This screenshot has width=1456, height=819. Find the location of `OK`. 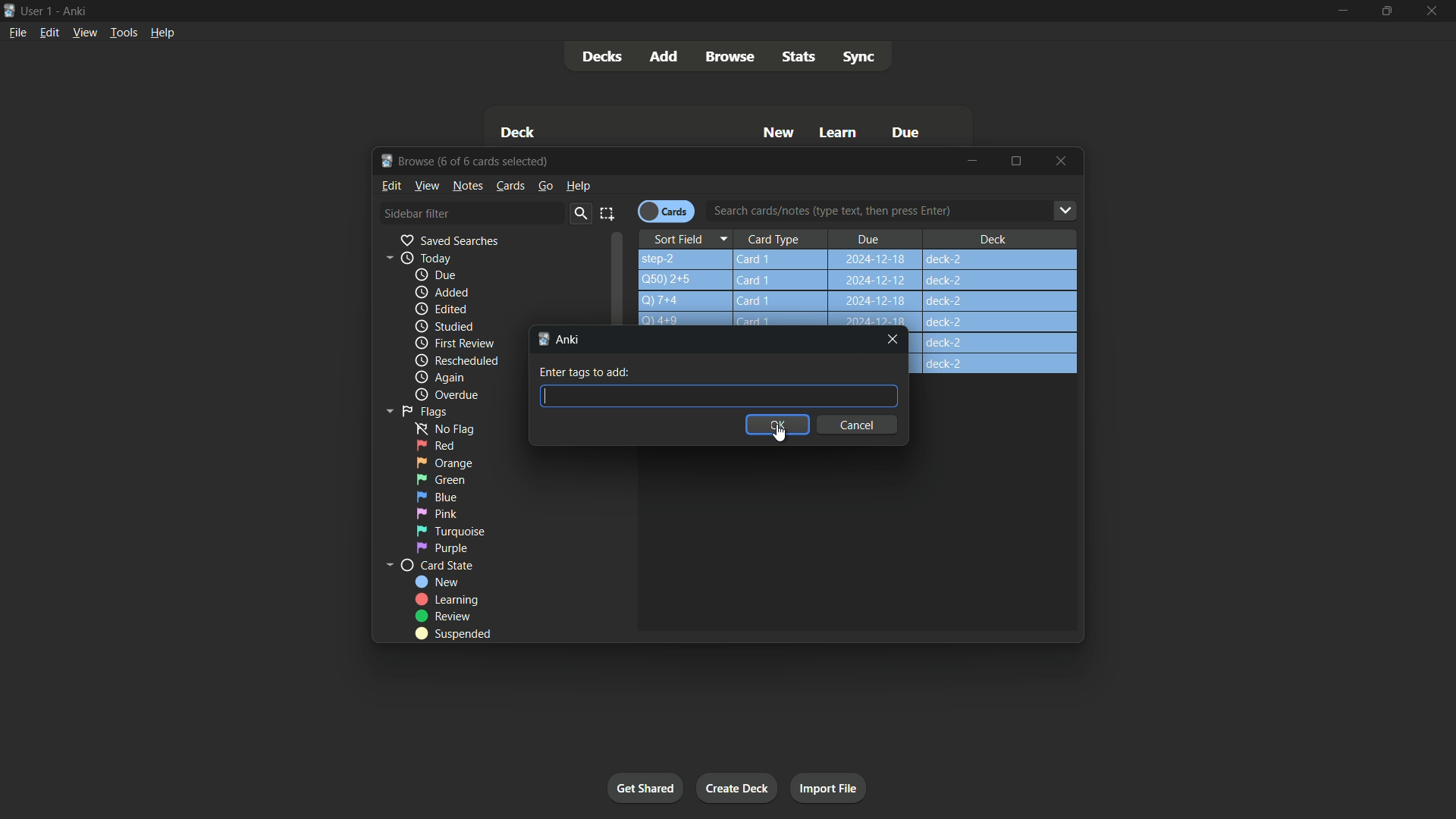

OK is located at coordinates (777, 424).